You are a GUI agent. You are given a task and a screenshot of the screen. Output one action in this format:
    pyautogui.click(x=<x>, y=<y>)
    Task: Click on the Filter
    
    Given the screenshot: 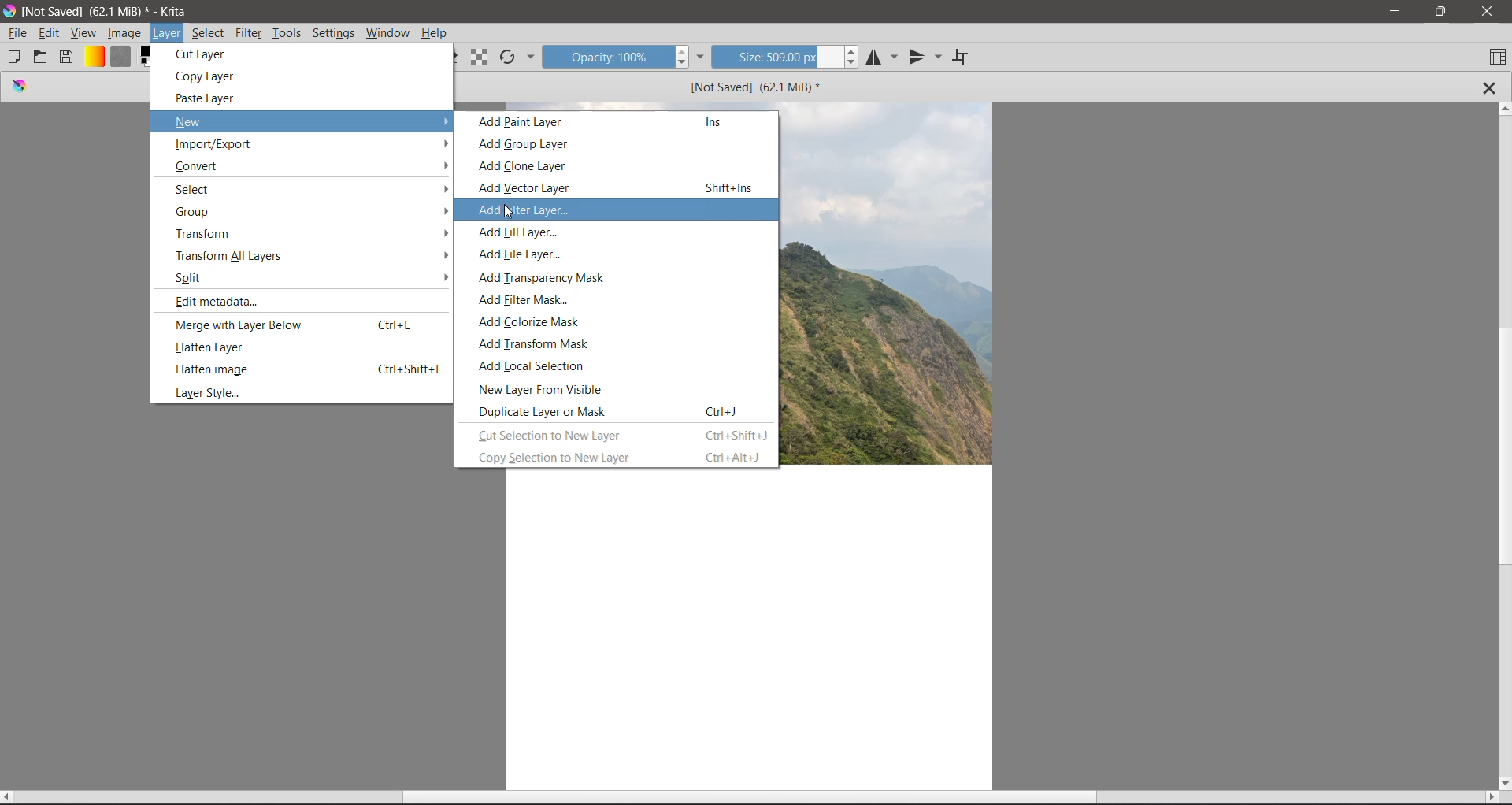 What is the action you would take?
    pyautogui.click(x=250, y=33)
    